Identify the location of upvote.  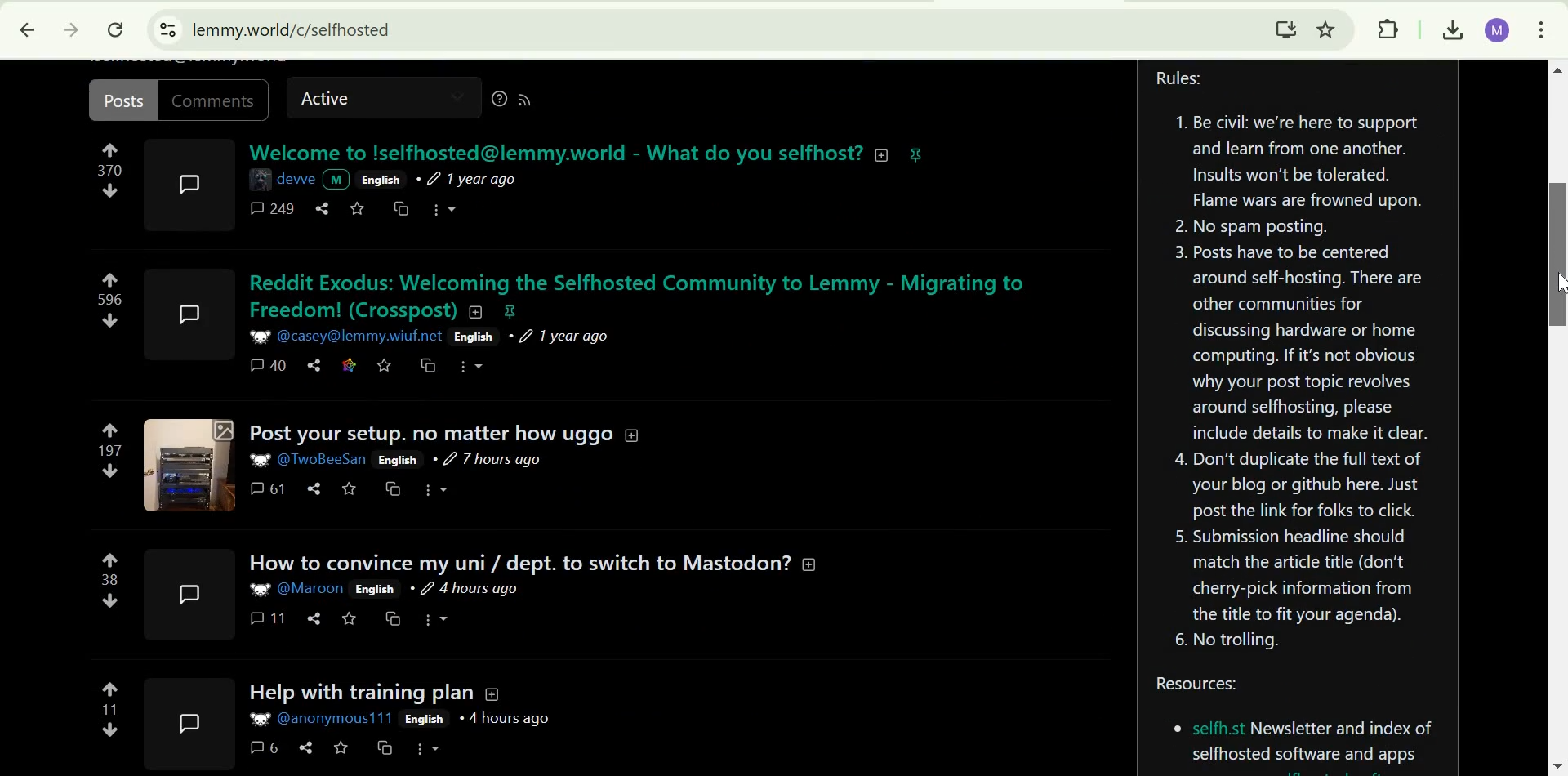
(111, 560).